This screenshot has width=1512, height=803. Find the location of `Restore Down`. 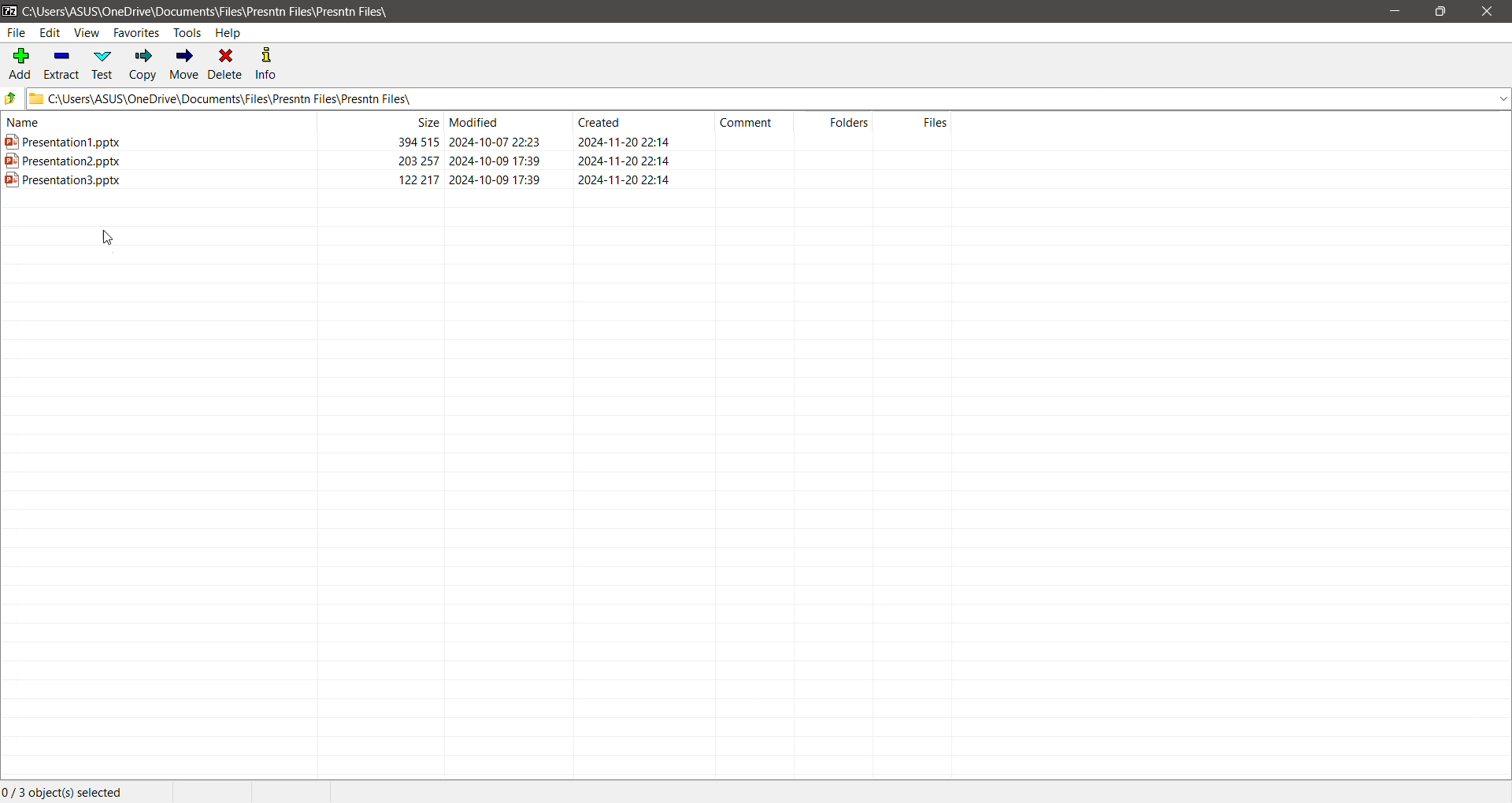

Restore Down is located at coordinates (1440, 12).